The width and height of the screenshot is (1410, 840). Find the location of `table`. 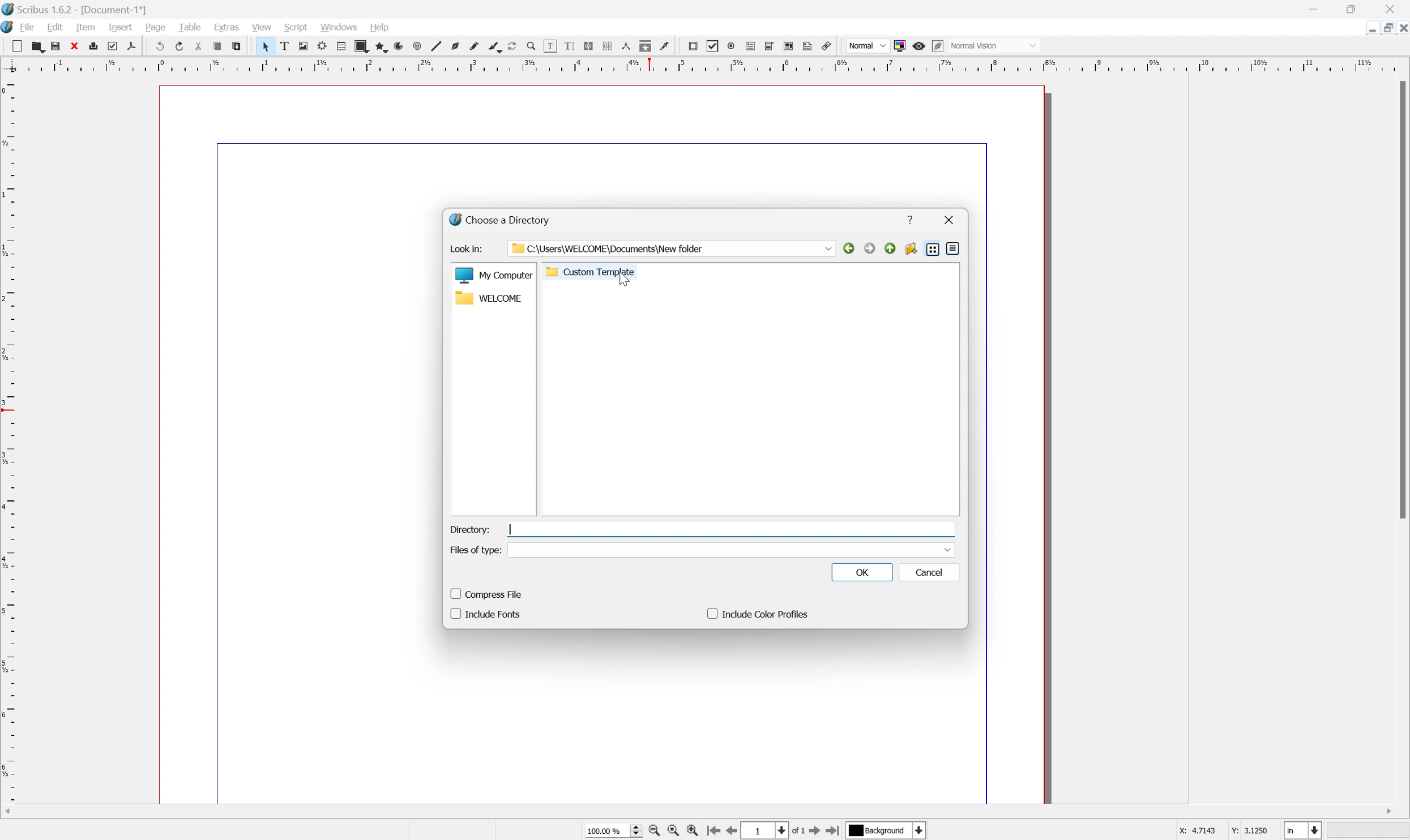

table is located at coordinates (190, 27).